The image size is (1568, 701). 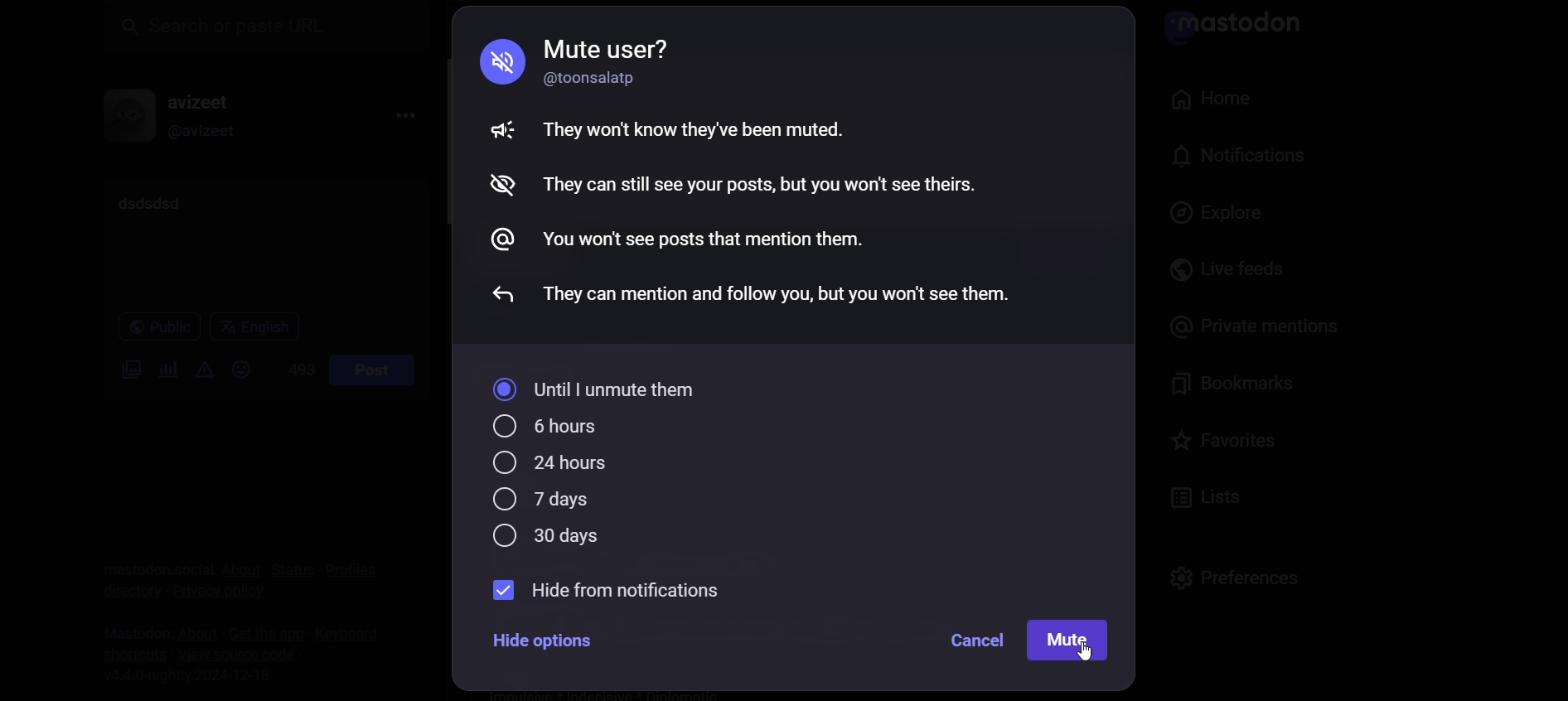 What do you see at coordinates (611, 588) in the screenshot?
I see `hide from notification` at bounding box center [611, 588].